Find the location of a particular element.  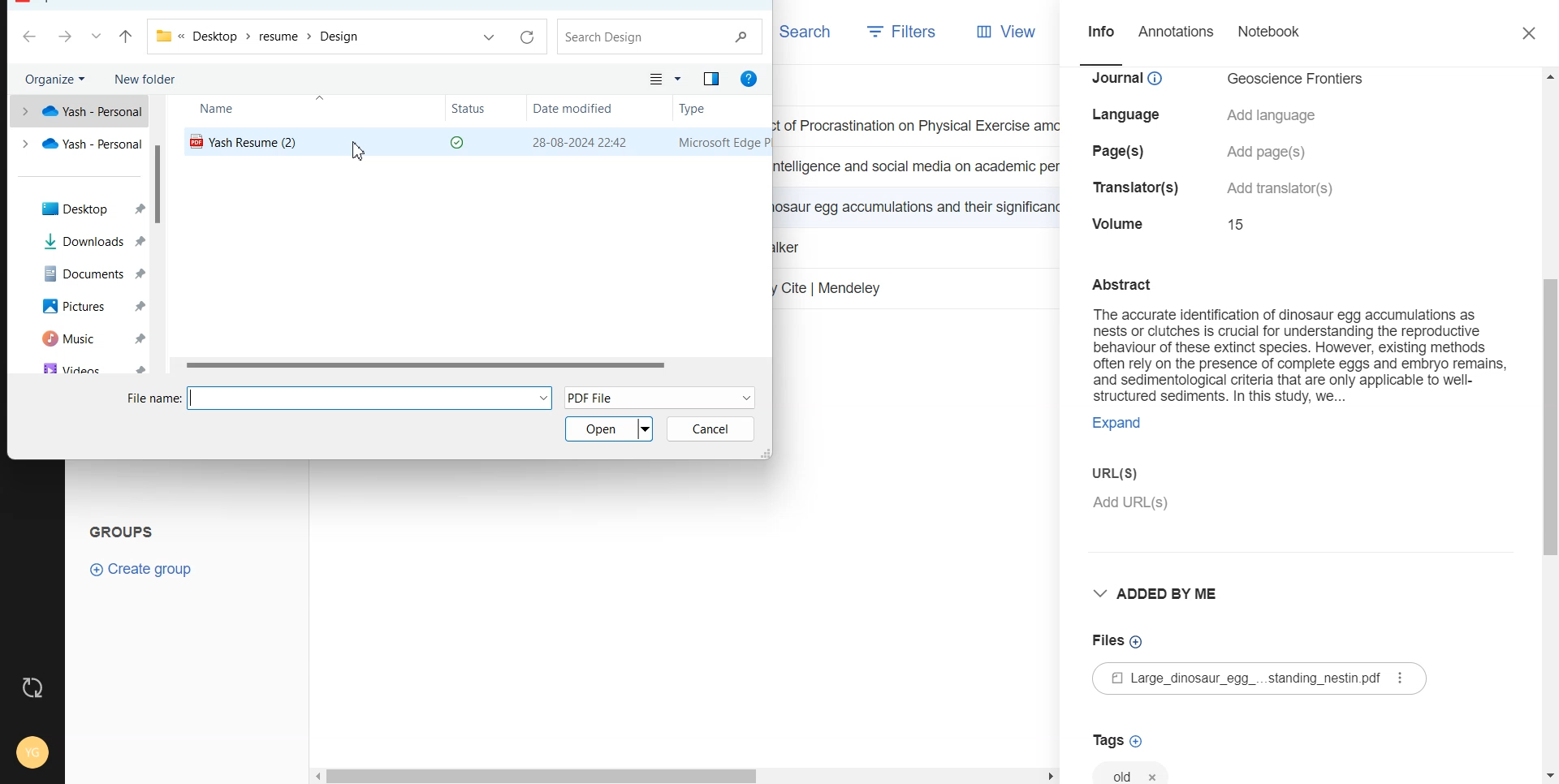

Music is located at coordinates (79, 337).